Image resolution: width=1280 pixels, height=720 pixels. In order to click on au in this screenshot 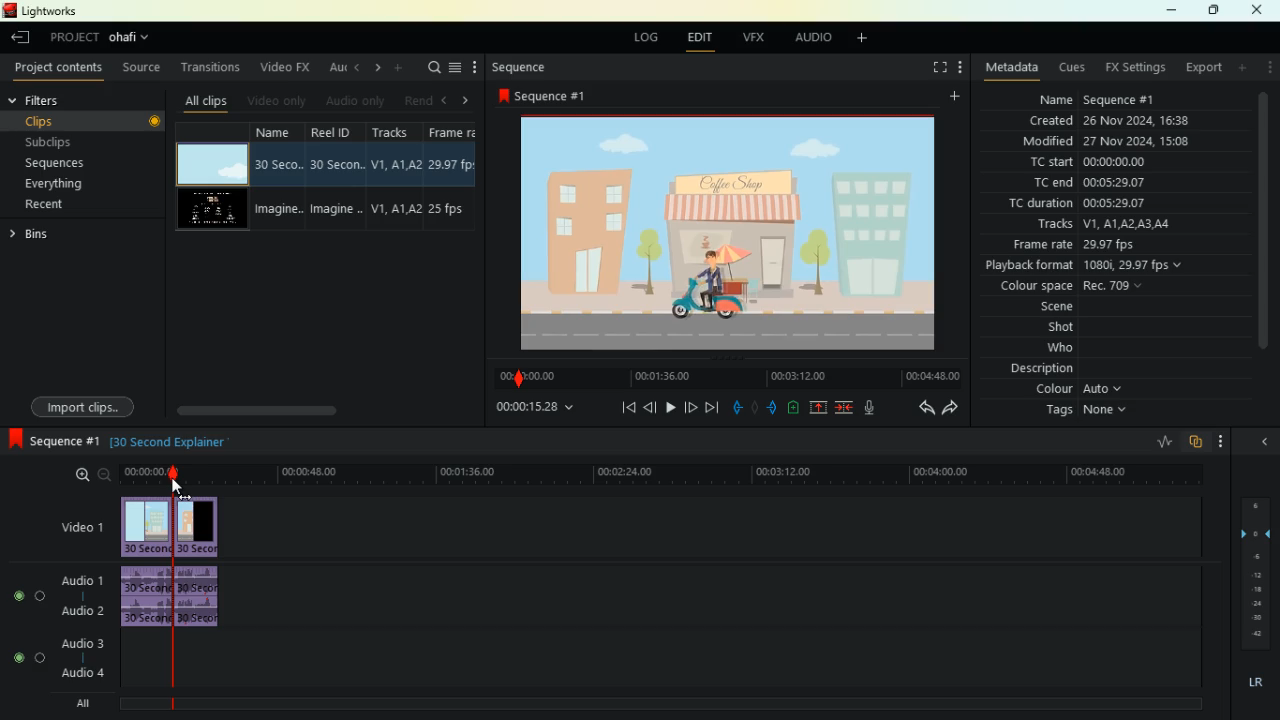, I will do `click(337, 68)`.